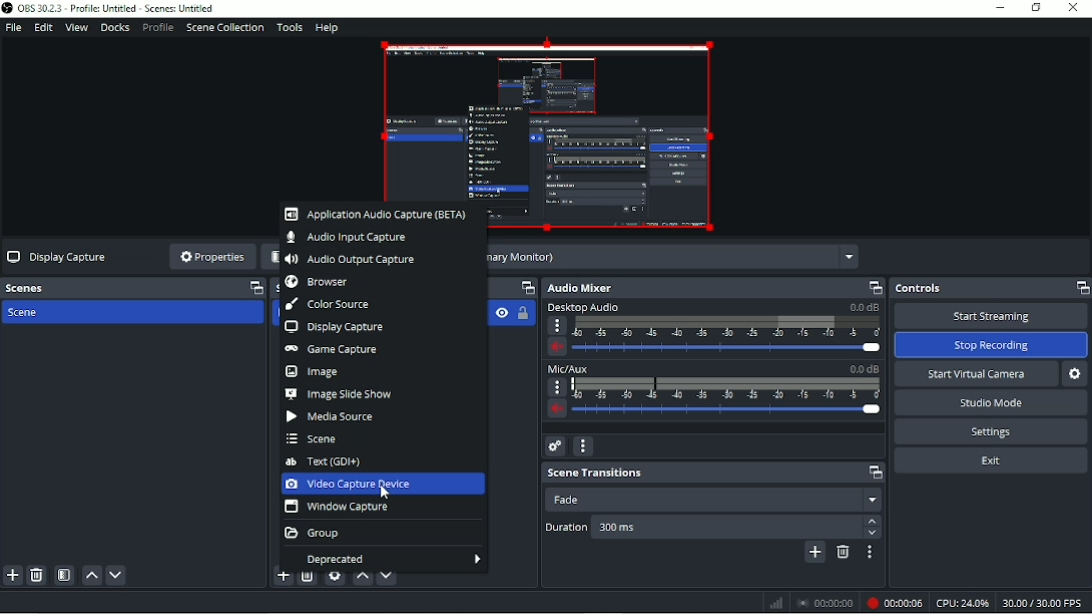 The width and height of the screenshot is (1092, 614). I want to click on Tools, so click(289, 27).